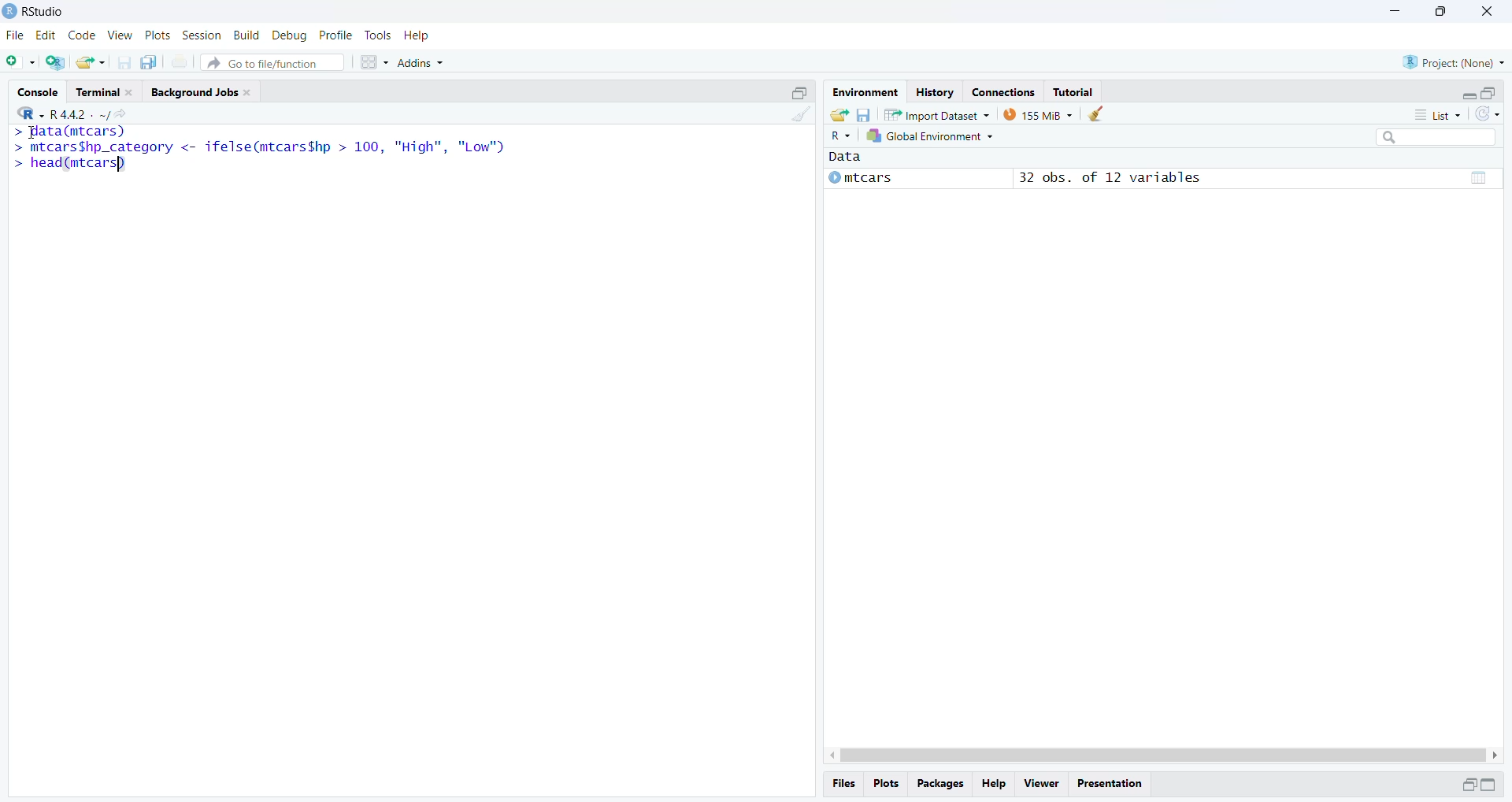 The height and width of the screenshot is (802, 1512). What do you see at coordinates (46, 36) in the screenshot?
I see `Edit` at bounding box center [46, 36].